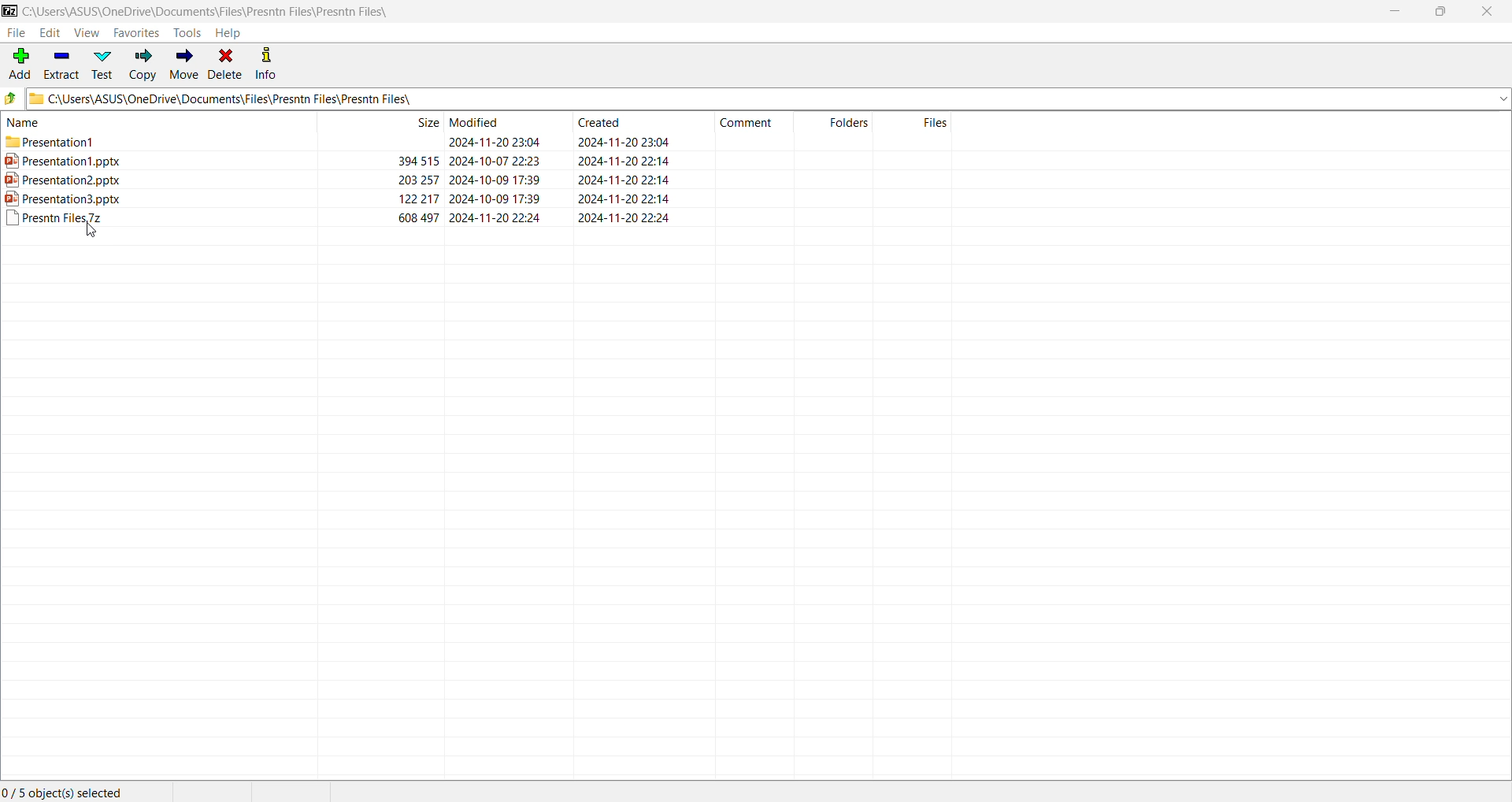 This screenshot has width=1512, height=802. Describe the element at coordinates (214, 11) in the screenshot. I see `c\users\ASUS\OneDrive\Documents\Files\Presntn Files\Presntn Files\` at that location.